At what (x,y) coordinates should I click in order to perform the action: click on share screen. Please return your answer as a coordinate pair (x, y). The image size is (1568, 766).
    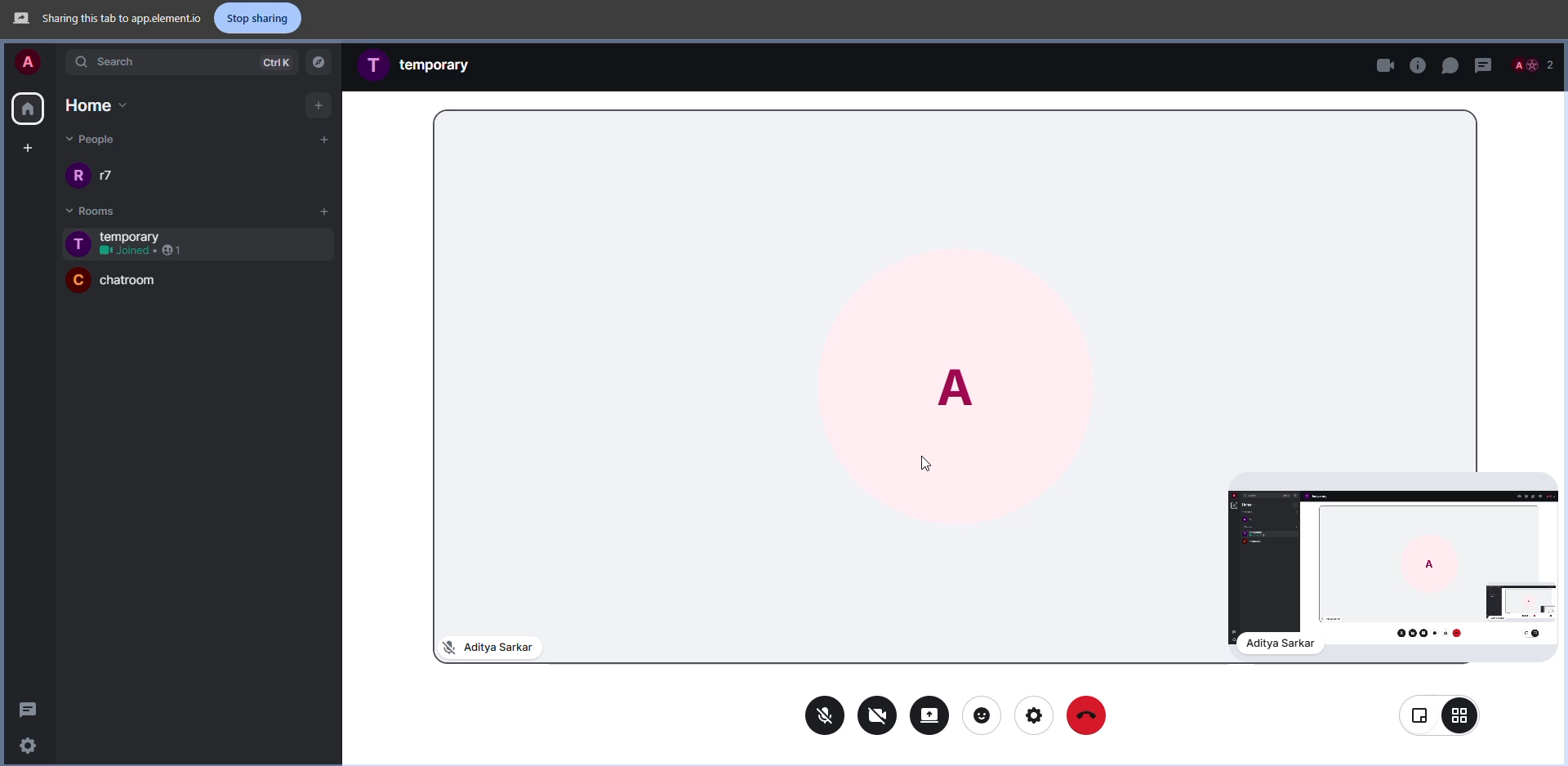
    Looking at the image, I should click on (929, 715).